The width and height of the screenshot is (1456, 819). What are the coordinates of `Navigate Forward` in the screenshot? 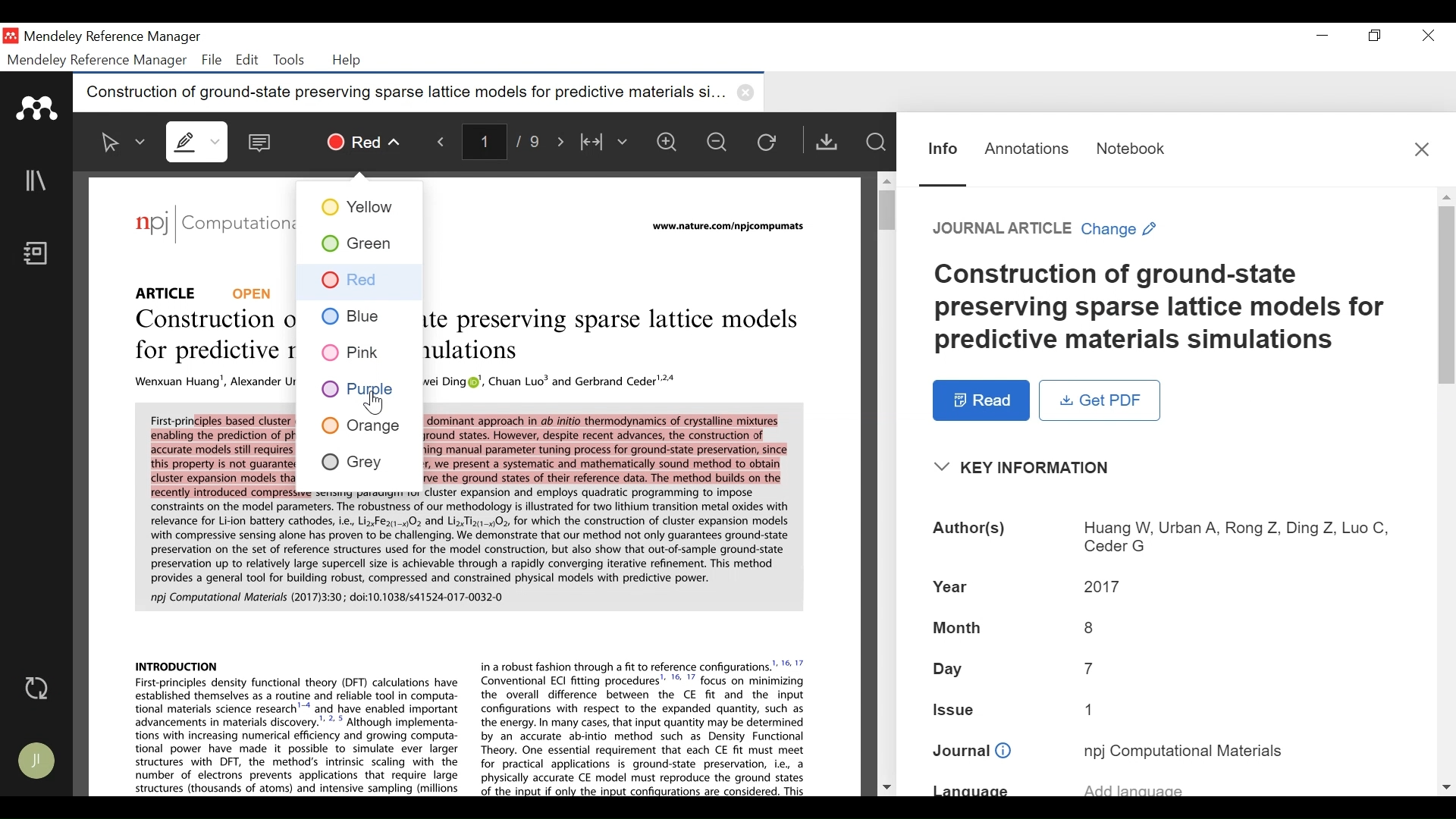 It's located at (560, 142).